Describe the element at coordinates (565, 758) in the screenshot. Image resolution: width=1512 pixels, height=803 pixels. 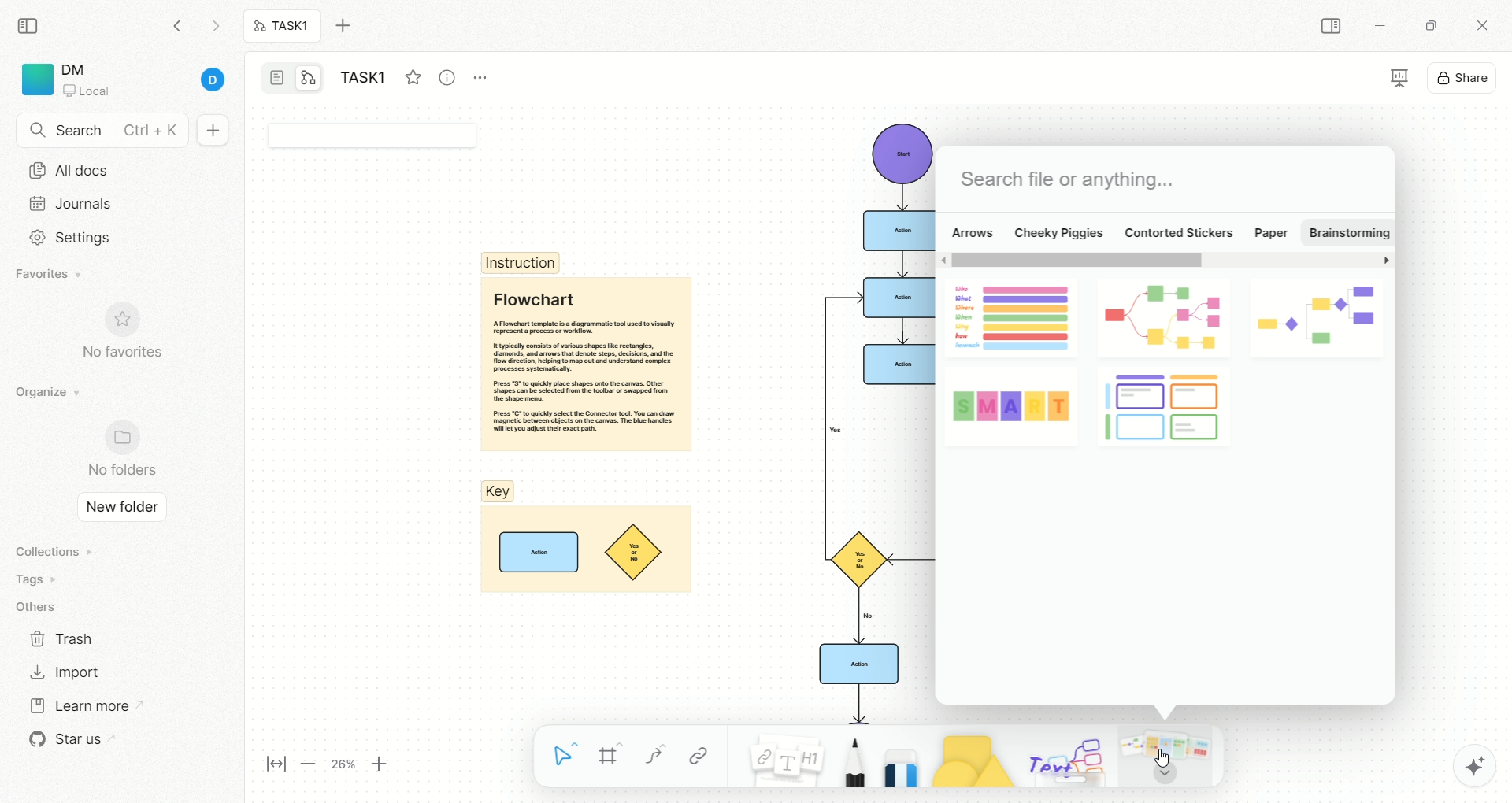
I see `selection` at that location.